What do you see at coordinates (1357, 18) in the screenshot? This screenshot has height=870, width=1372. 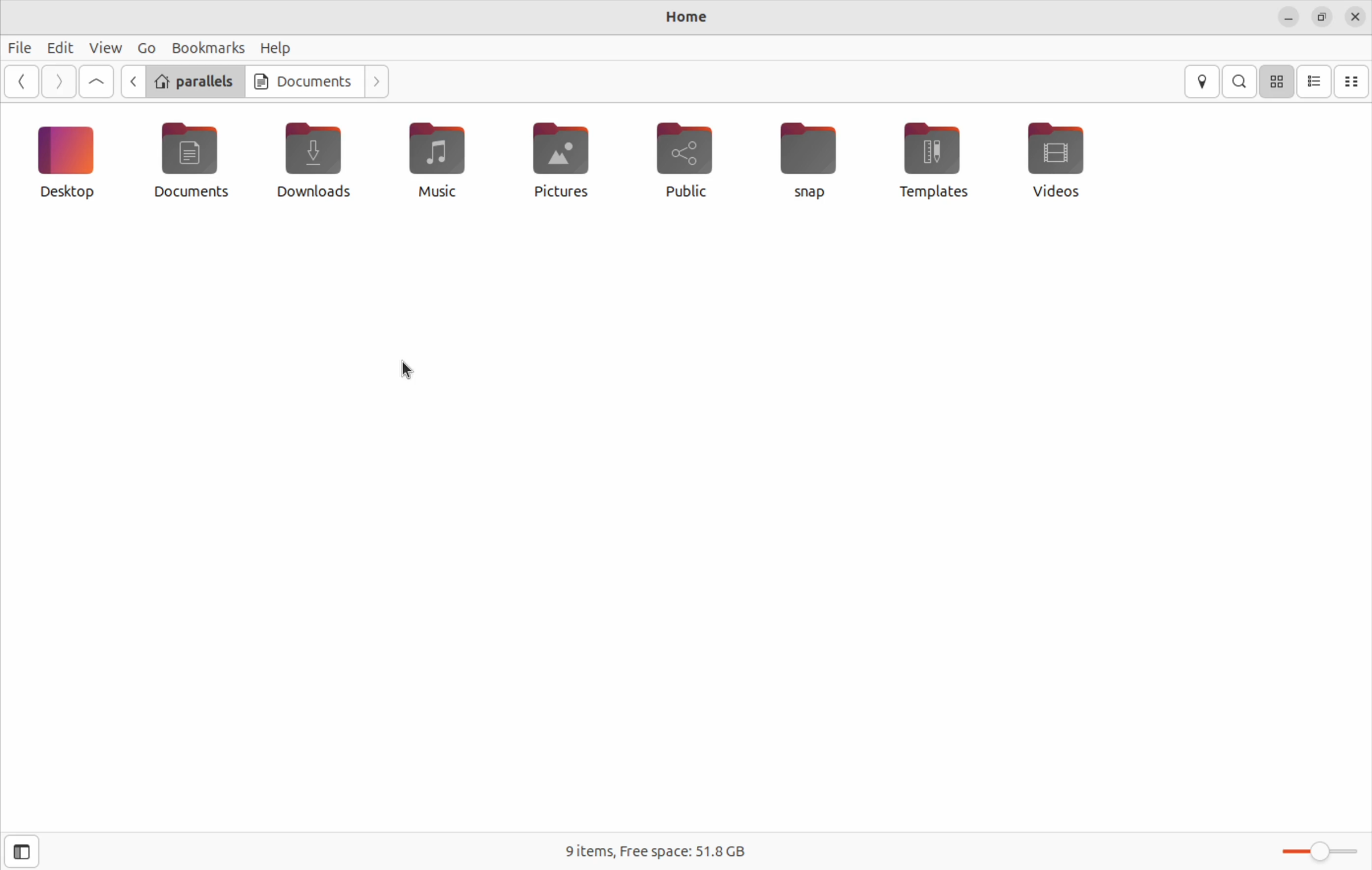 I see `close` at bounding box center [1357, 18].